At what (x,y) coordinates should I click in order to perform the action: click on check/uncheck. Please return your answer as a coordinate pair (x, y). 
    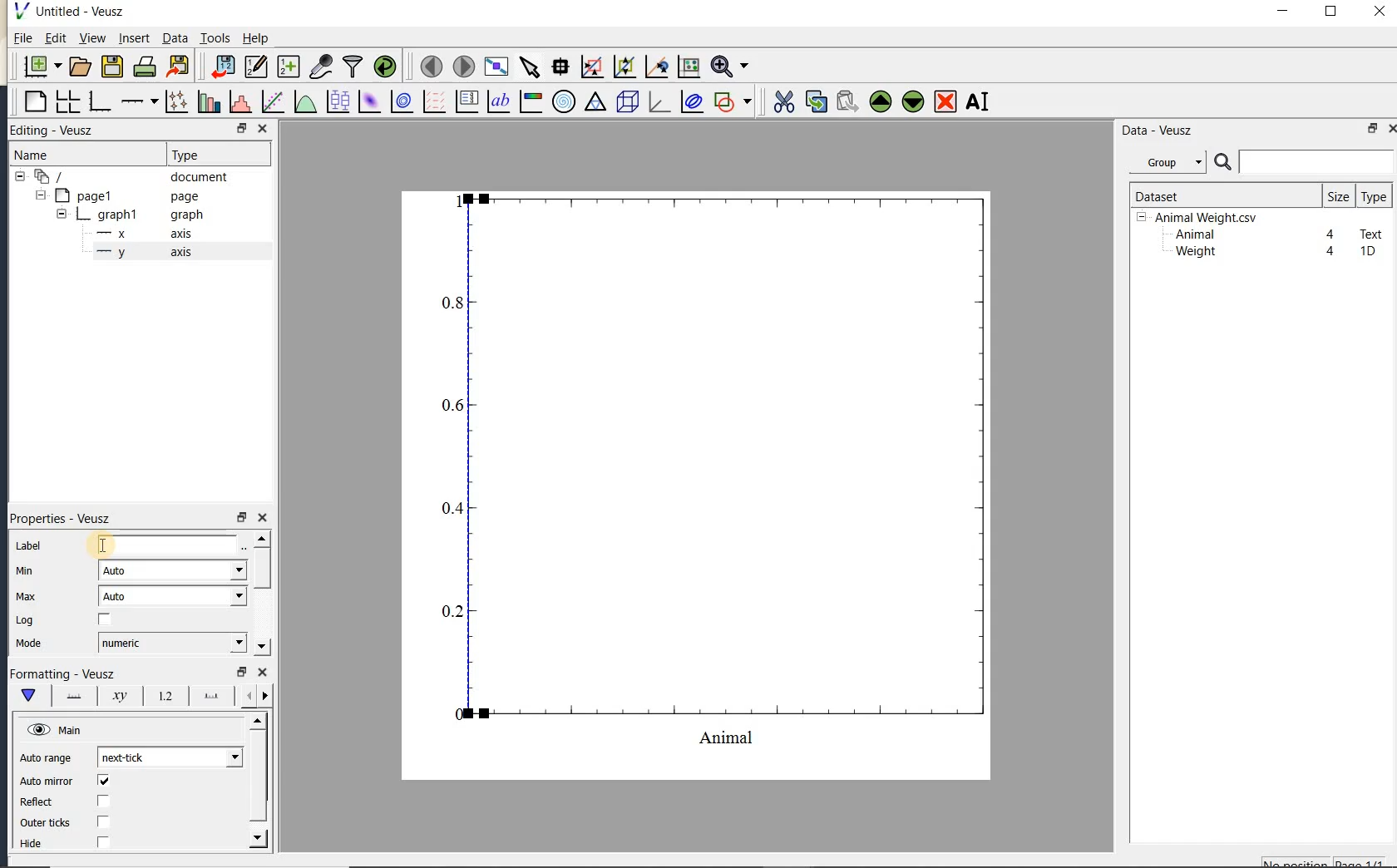
    Looking at the image, I should click on (102, 802).